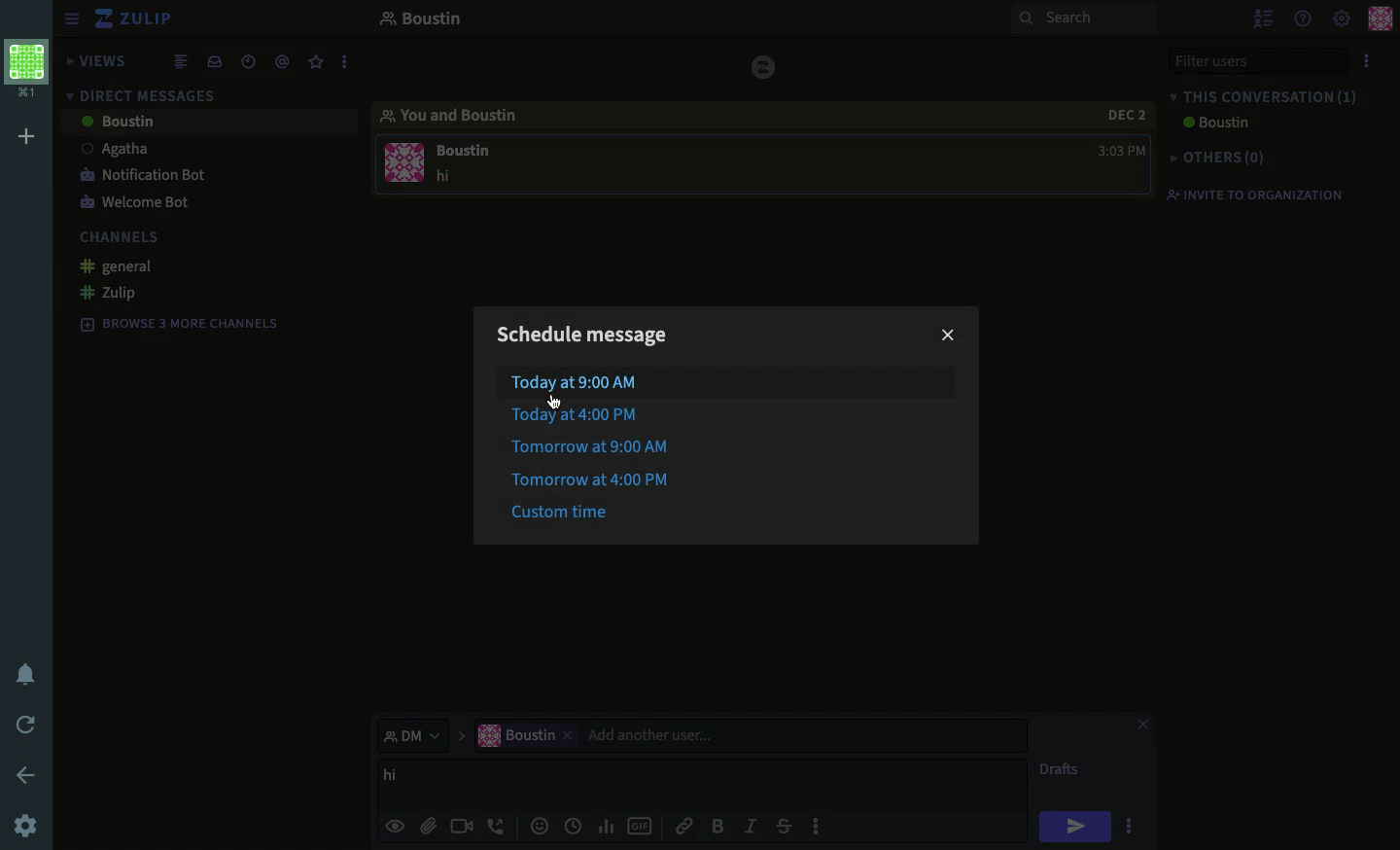 This screenshot has width=1400, height=850. Describe the element at coordinates (1263, 194) in the screenshot. I see `invite to organization` at that location.